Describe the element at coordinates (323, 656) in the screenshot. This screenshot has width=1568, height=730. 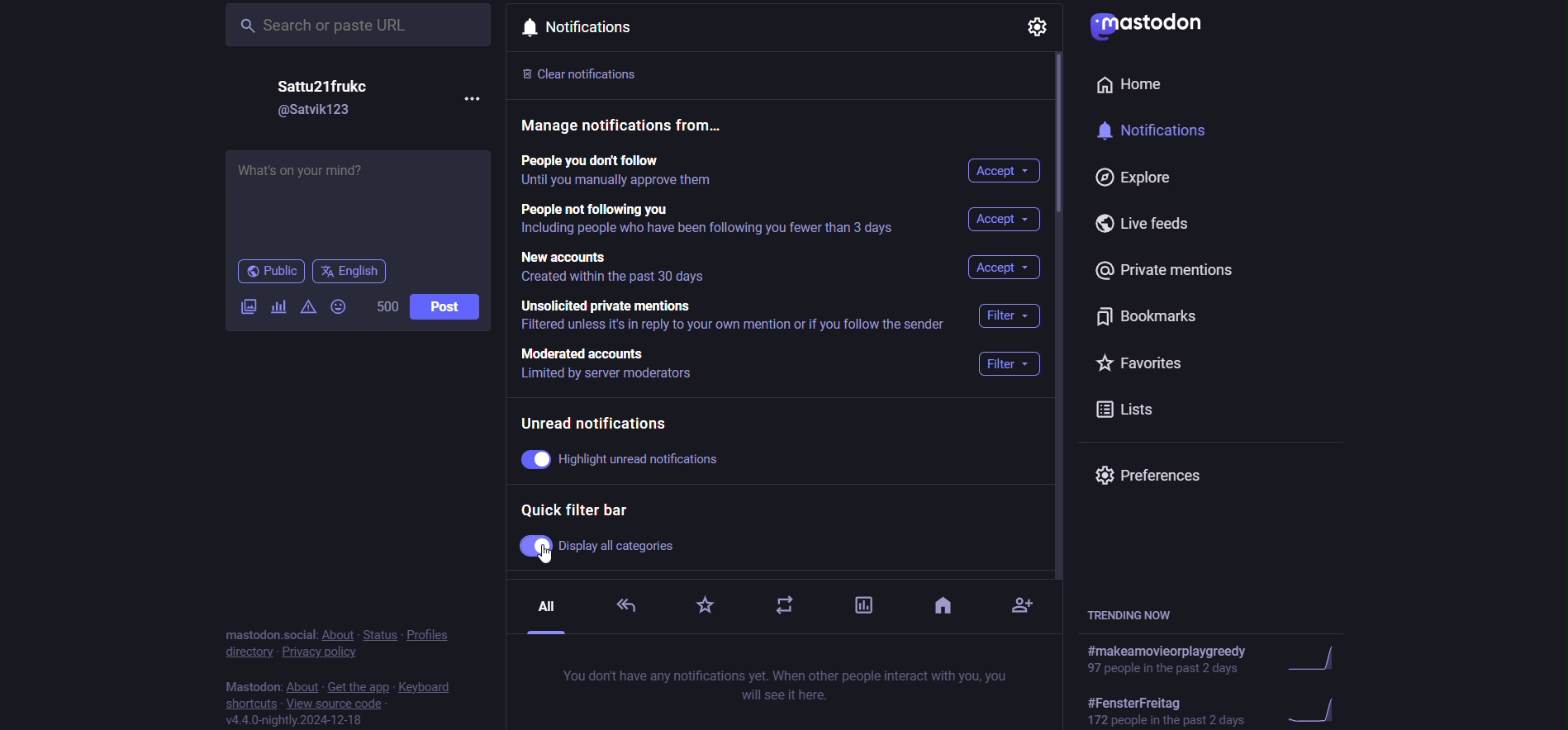
I see `privacy policy` at that location.